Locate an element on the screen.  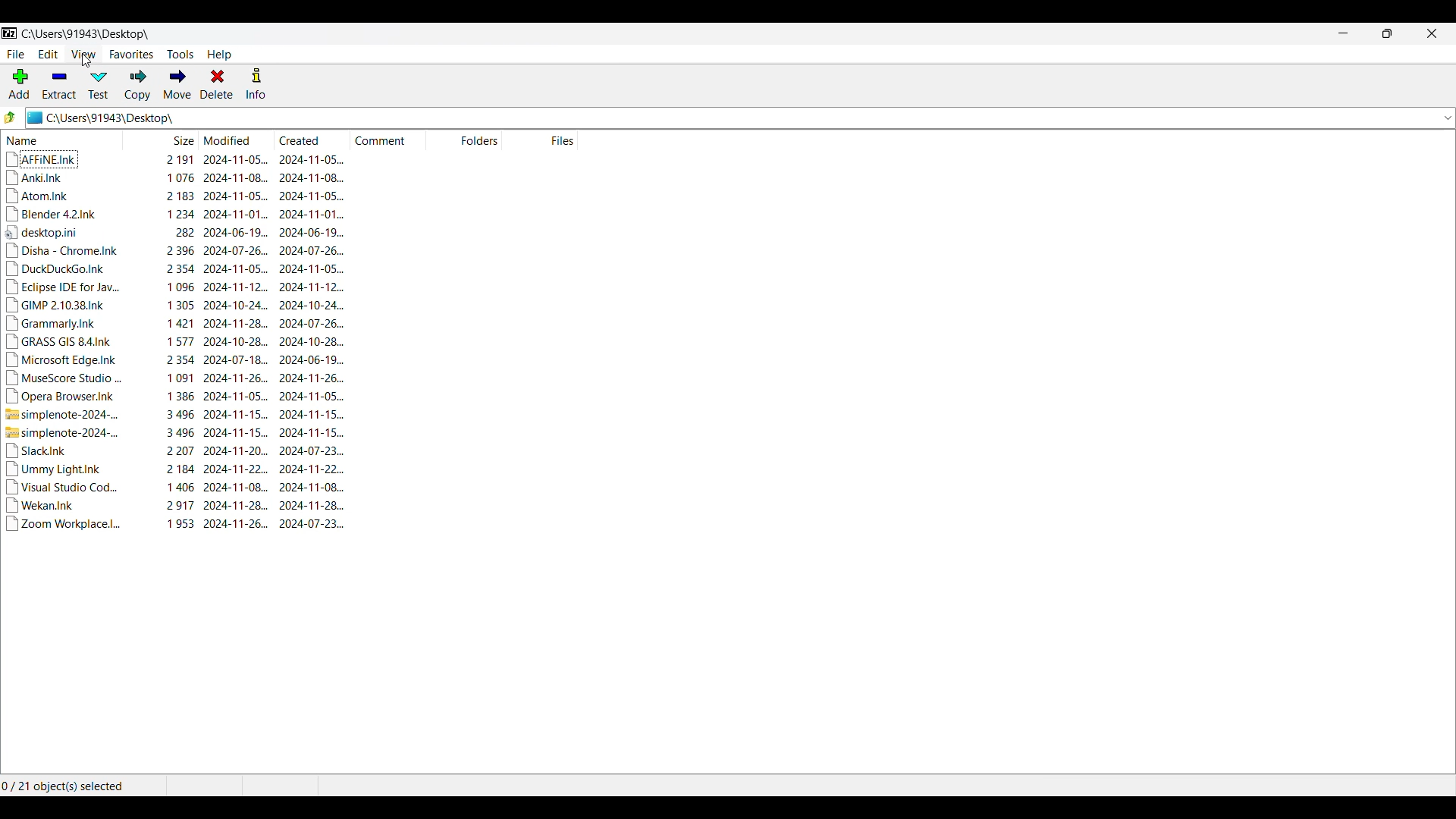
Minimize is located at coordinates (1343, 33).